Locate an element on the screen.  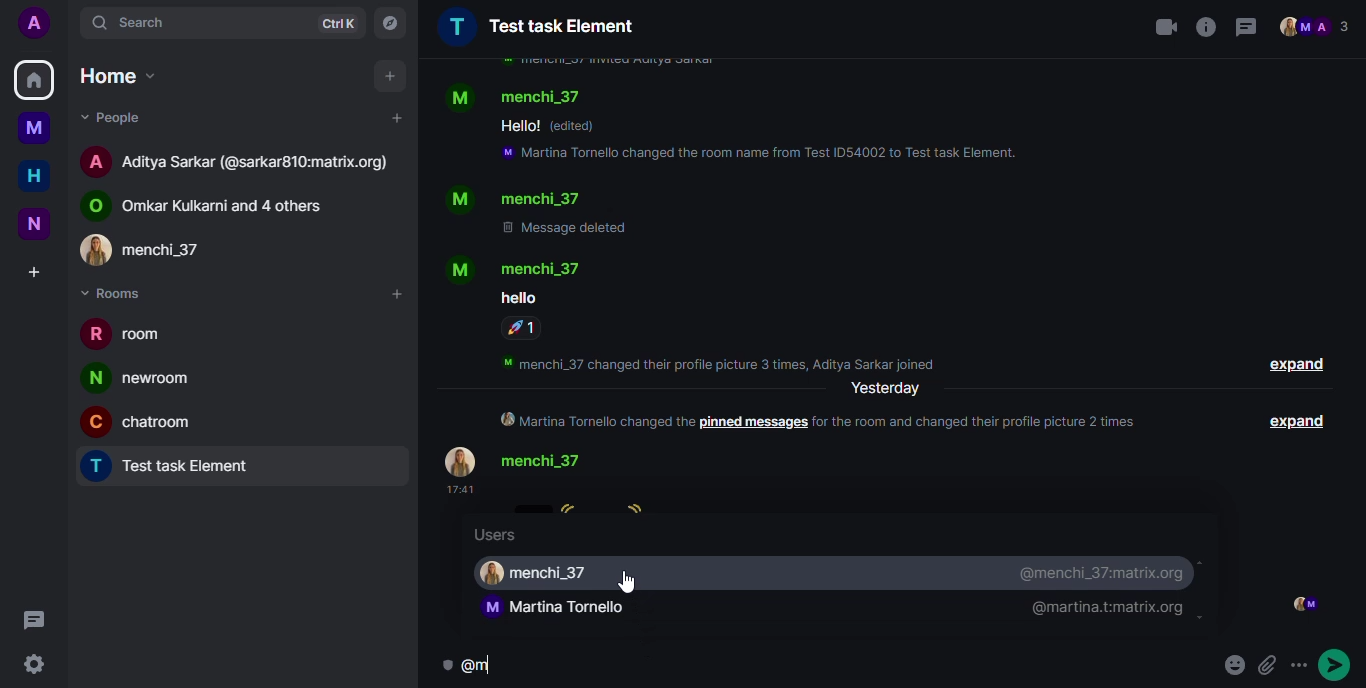
attach is located at coordinates (1303, 660).